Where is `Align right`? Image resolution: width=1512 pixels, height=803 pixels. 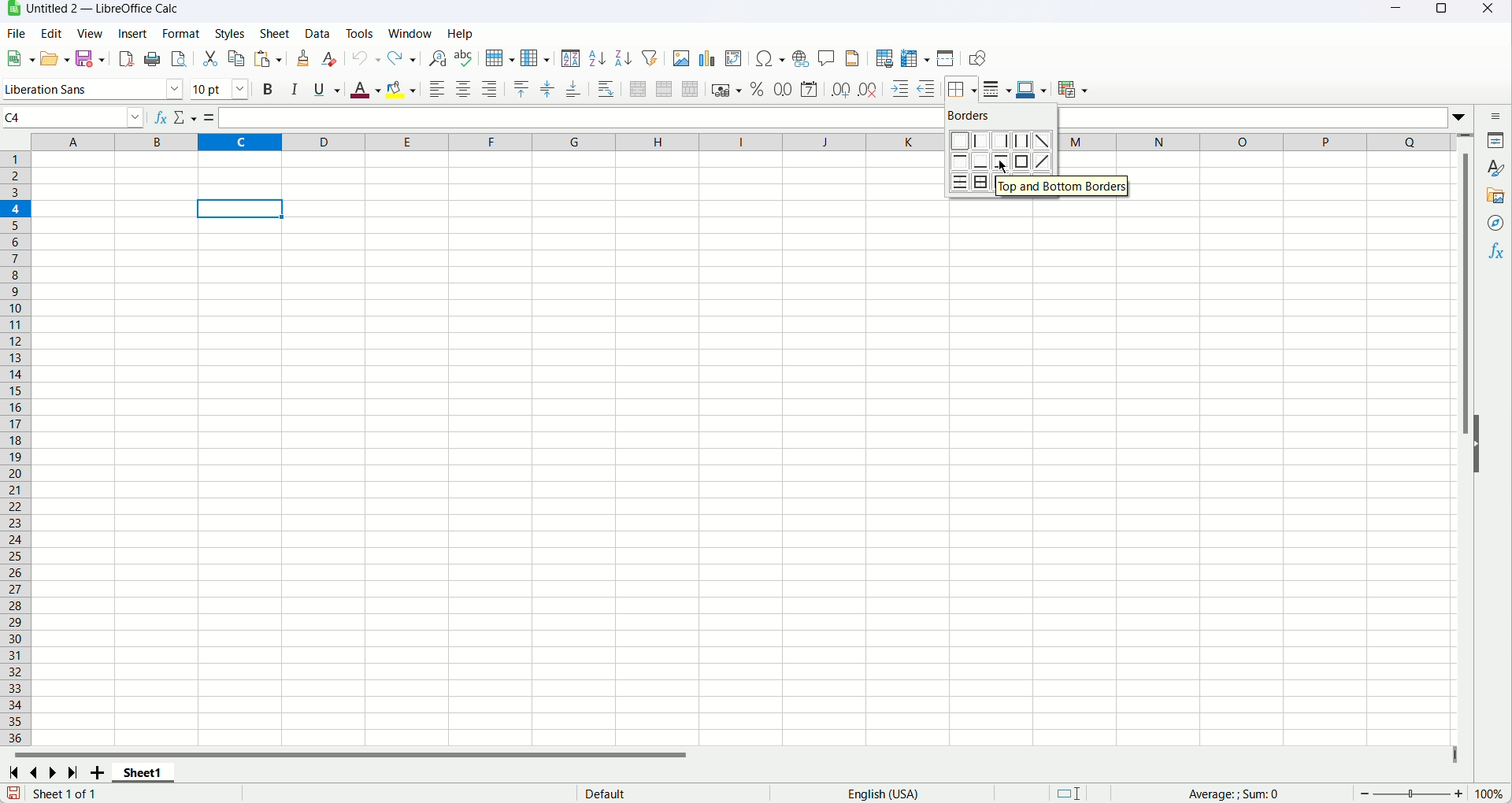 Align right is located at coordinates (489, 90).